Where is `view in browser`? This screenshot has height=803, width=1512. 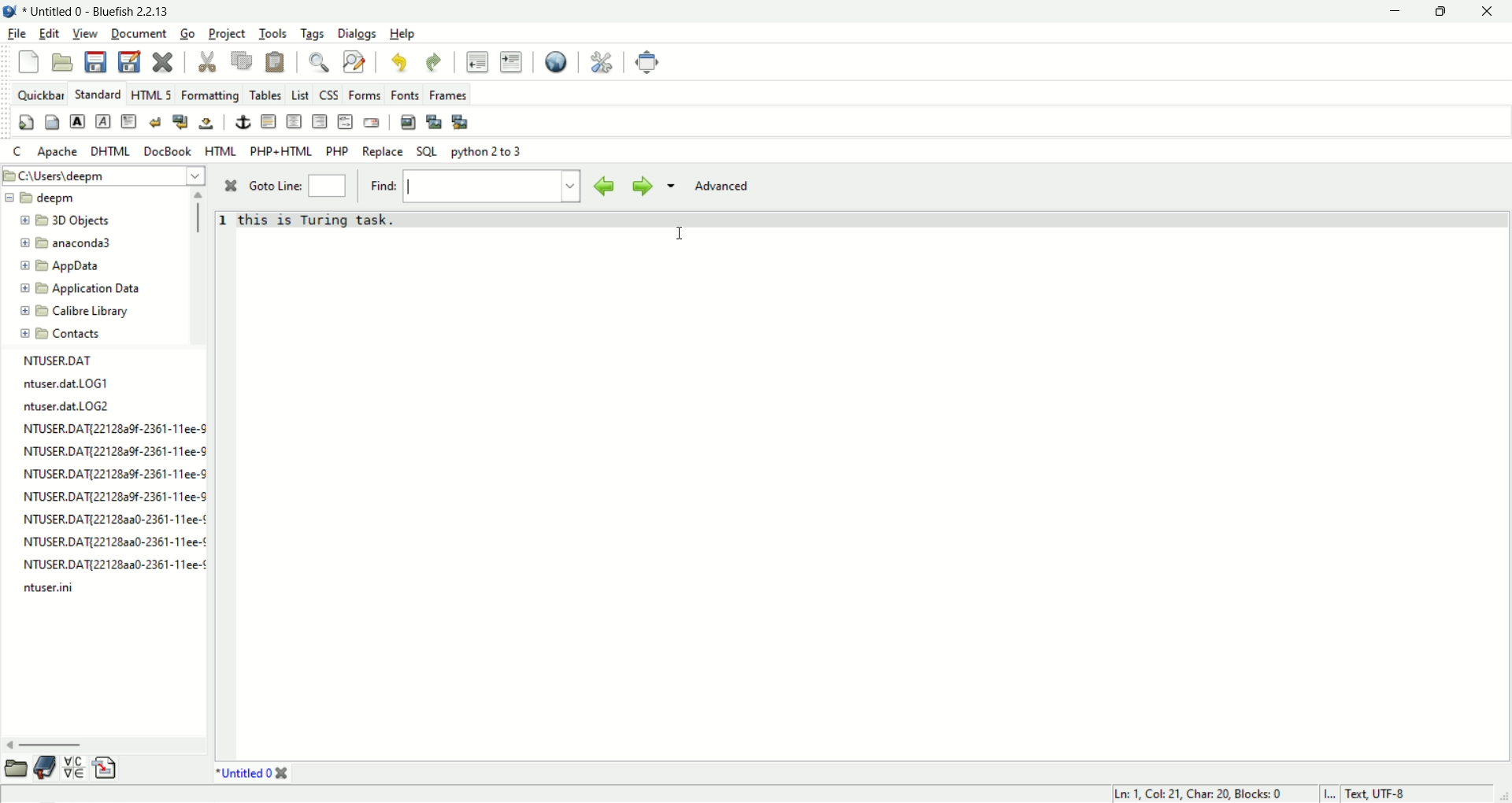 view in browser is located at coordinates (556, 63).